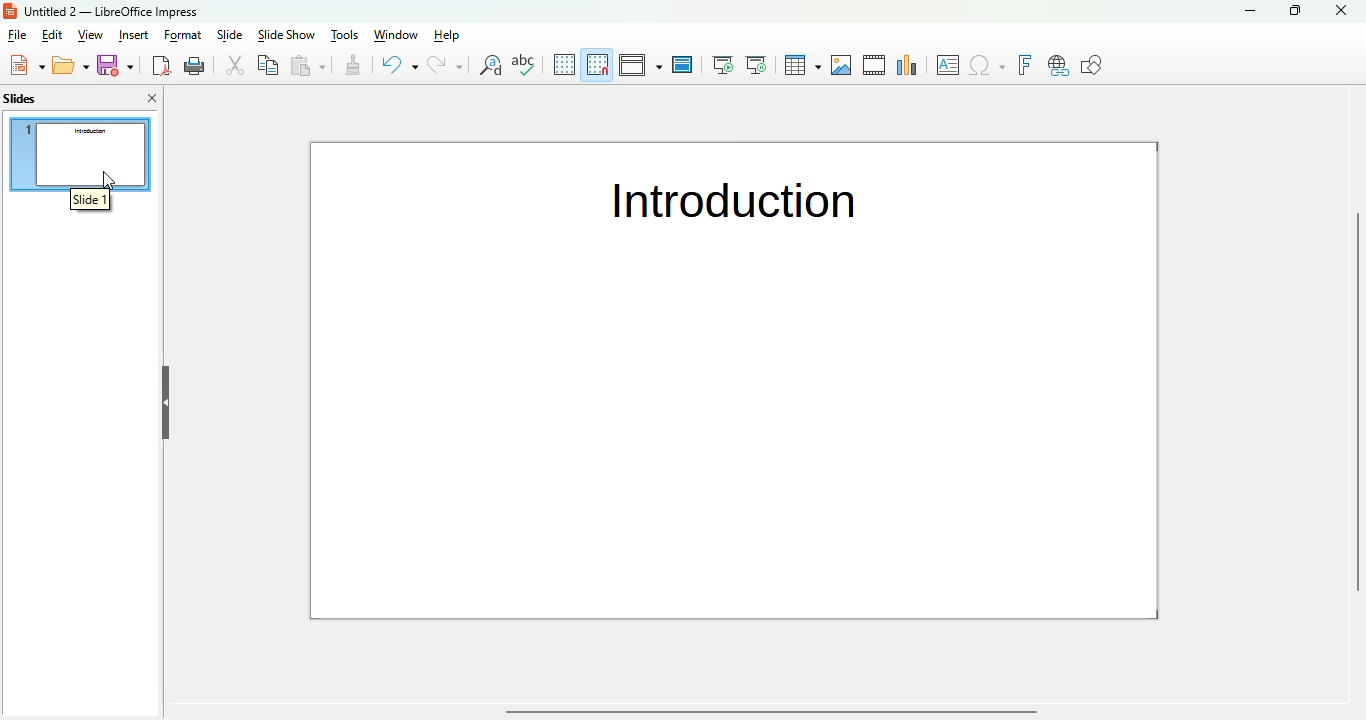 This screenshot has height=720, width=1366. Describe the element at coordinates (598, 64) in the screenshot. I see `snap to grid` at that location.